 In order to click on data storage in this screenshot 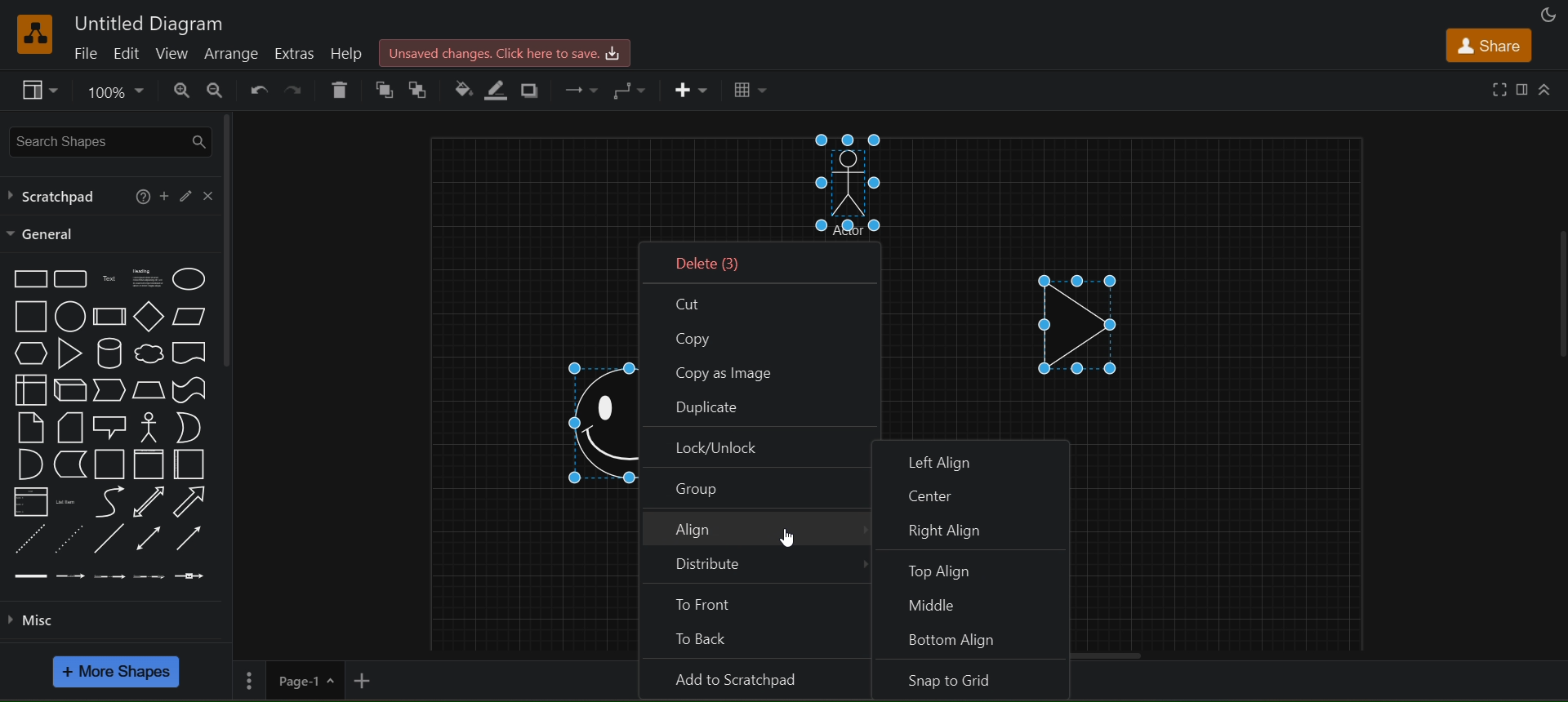, I will do `click(70, 464)`.